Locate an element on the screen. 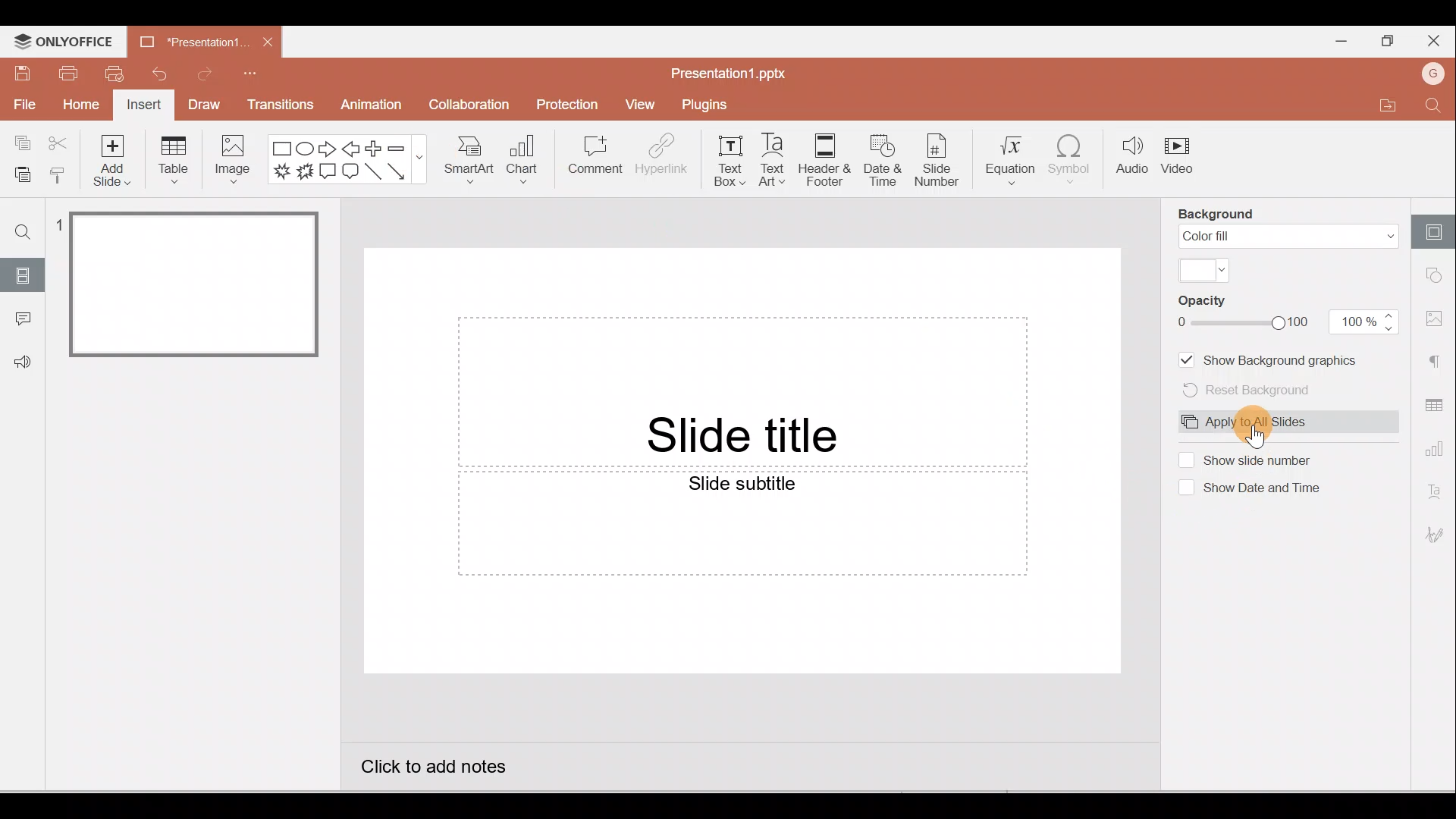 This screenshot has height=819, width=1456. Comment is located at coordinates (597, 162).